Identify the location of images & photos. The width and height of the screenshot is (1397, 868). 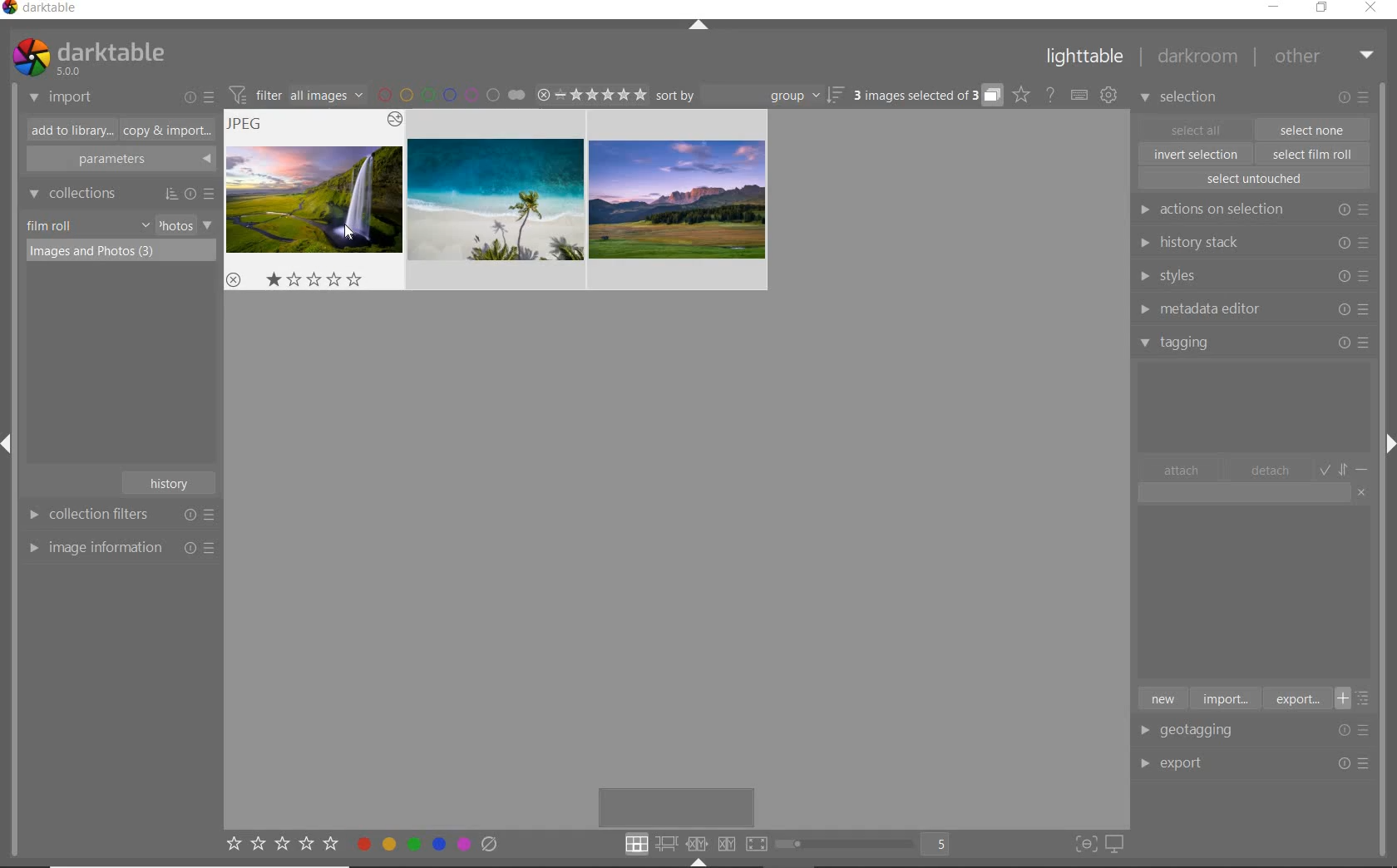
(121, 252).